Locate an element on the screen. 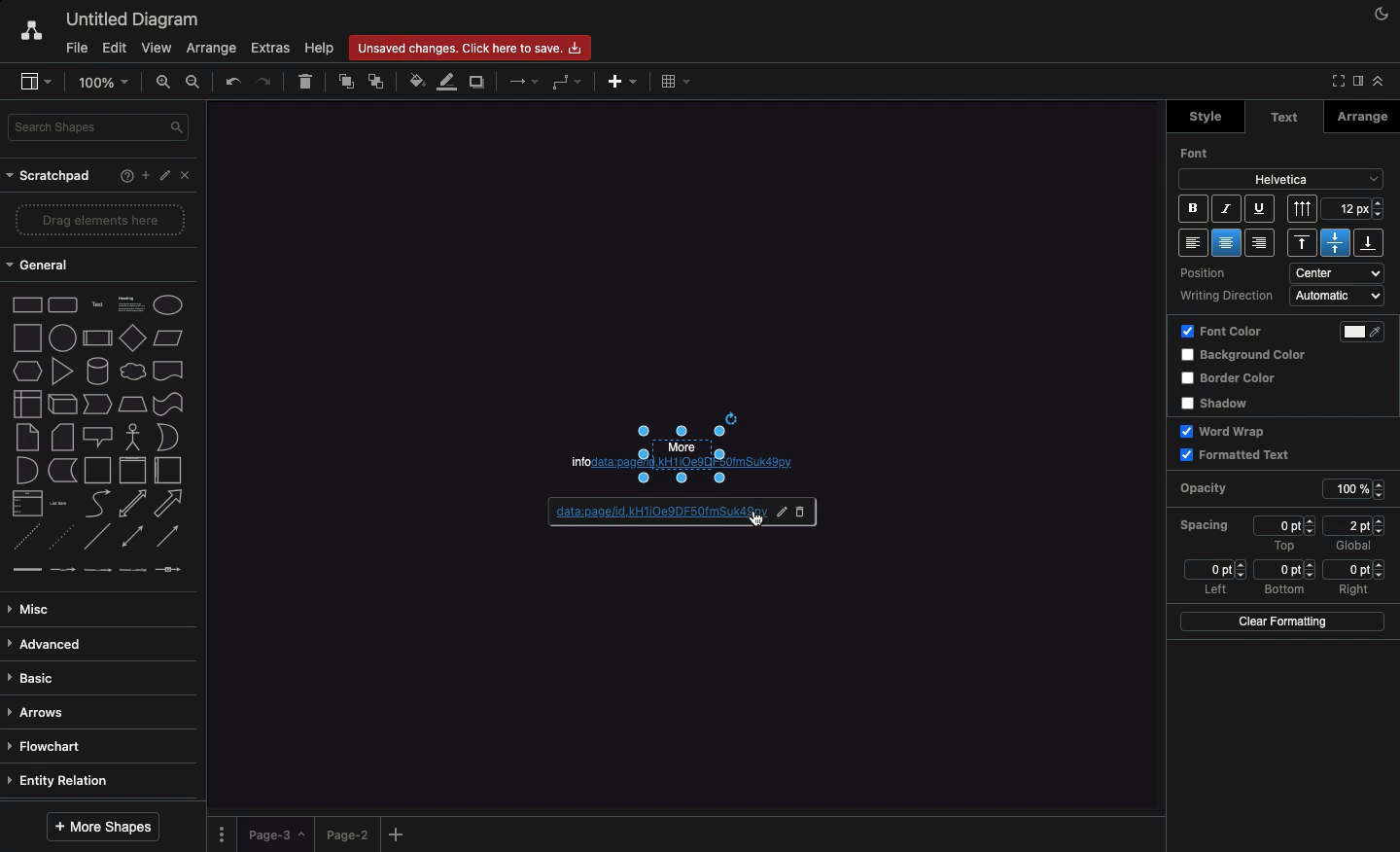 This screenshot has height=852, width=1400. docs link to page 2 is located at coordinates (642, 514).